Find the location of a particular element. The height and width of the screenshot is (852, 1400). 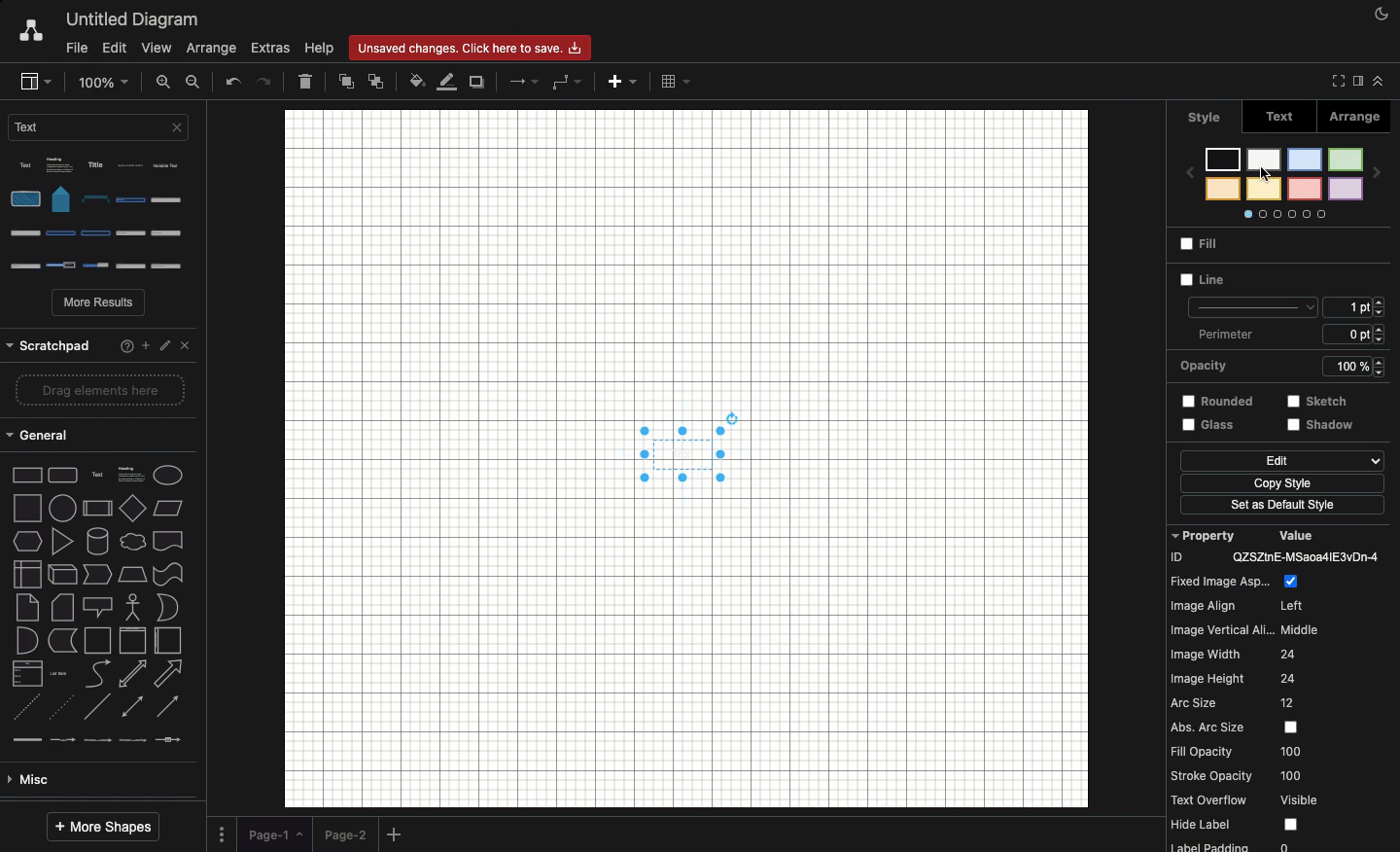

Line fill is located at coordinates (448, 81).